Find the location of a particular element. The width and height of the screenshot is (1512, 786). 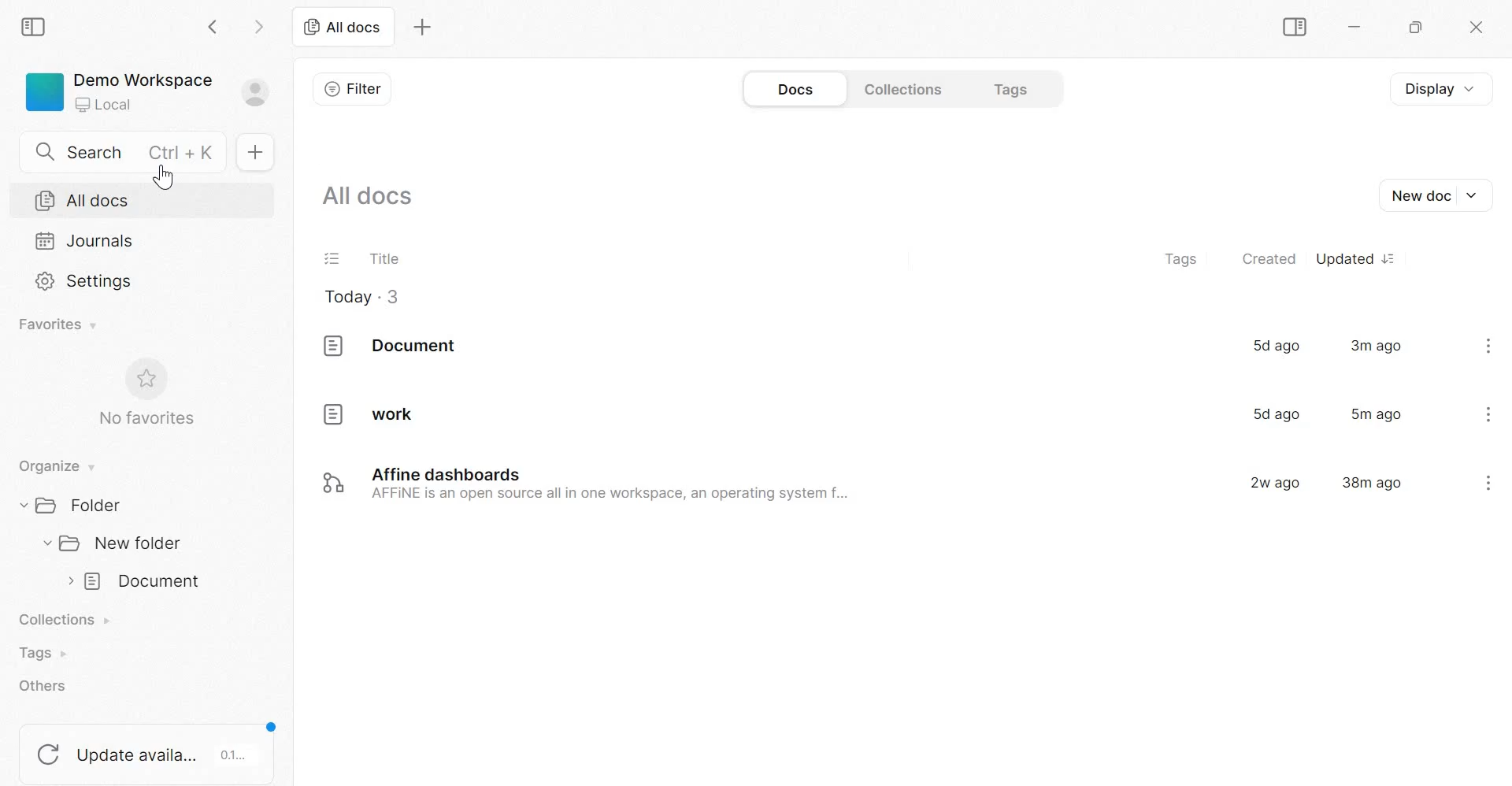

Maximize is located at coordinates (1420, 30).